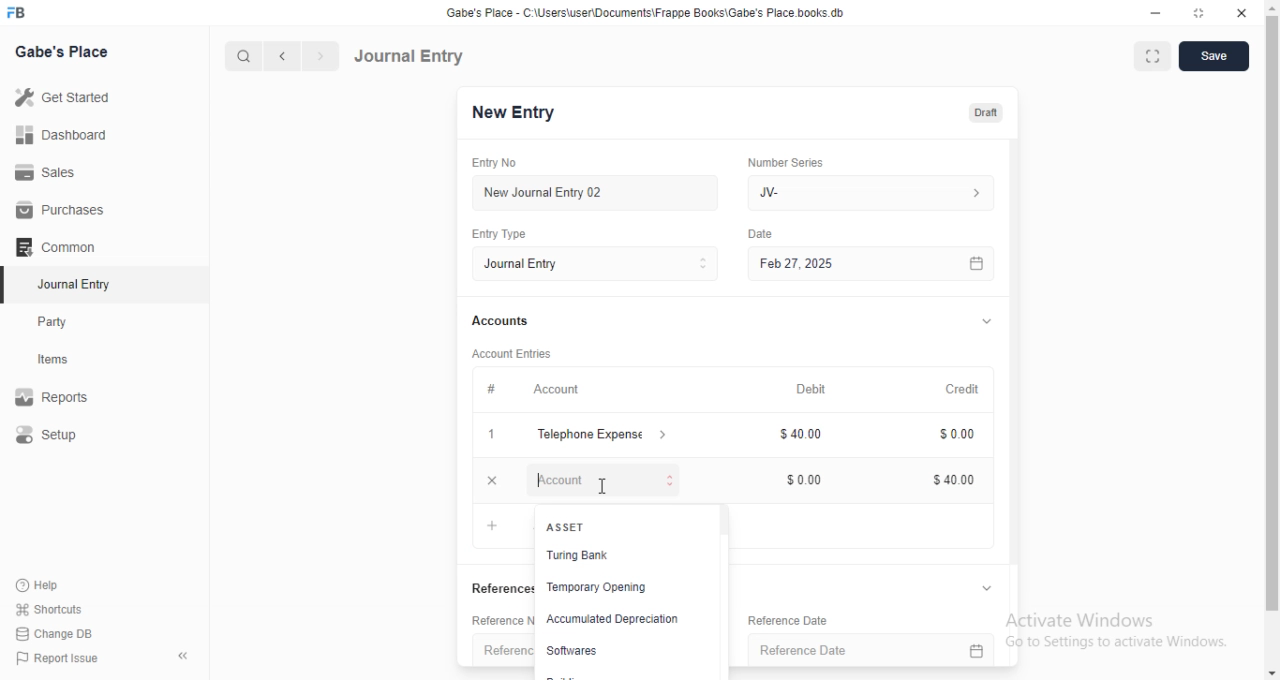  What do you see at coordinates (499, 388) in the screenshot?
I see `#` at bounding box center [499, 388].